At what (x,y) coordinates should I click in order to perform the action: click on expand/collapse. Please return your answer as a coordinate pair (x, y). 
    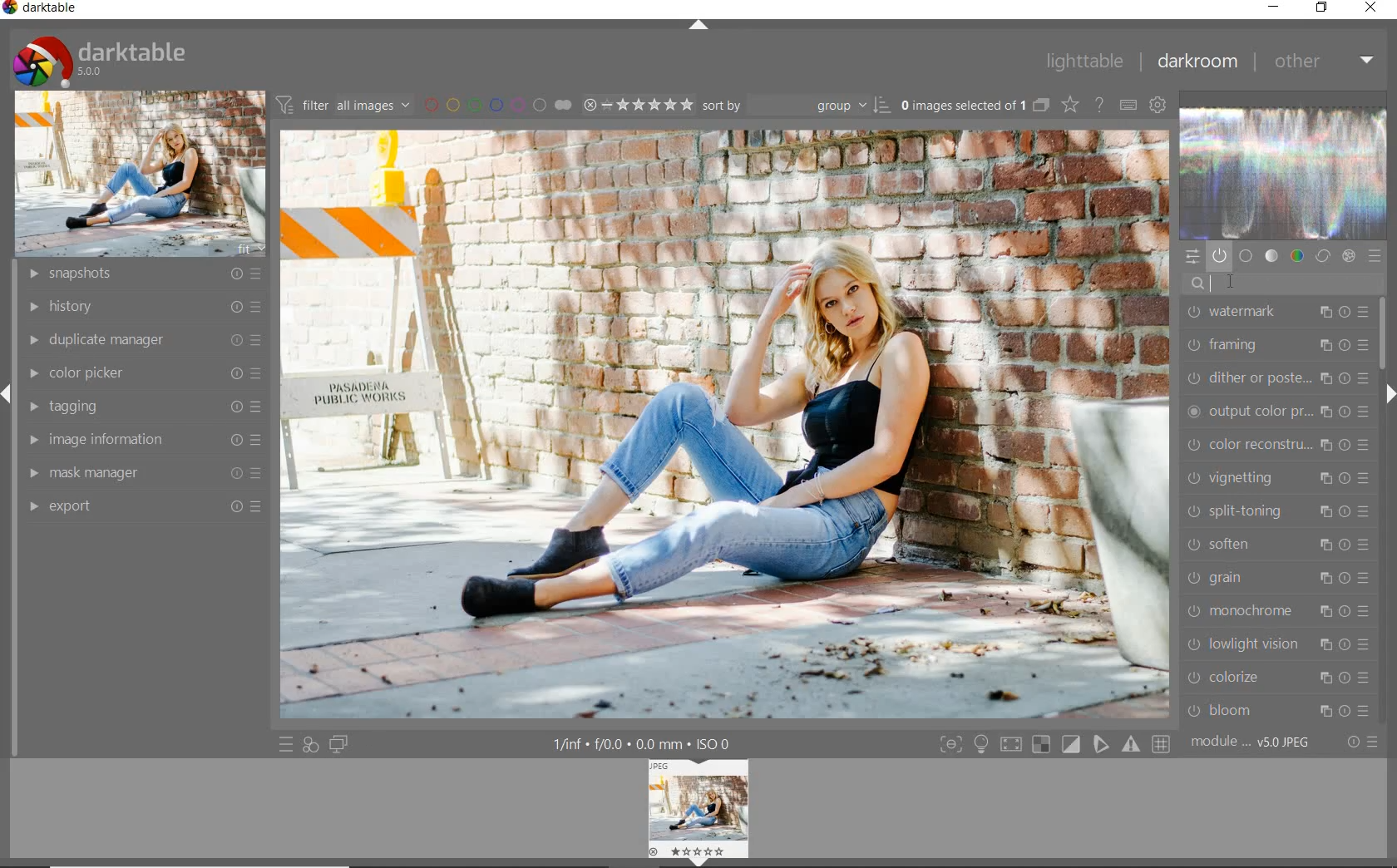
    Looking at the image, I should click on (702, 28).